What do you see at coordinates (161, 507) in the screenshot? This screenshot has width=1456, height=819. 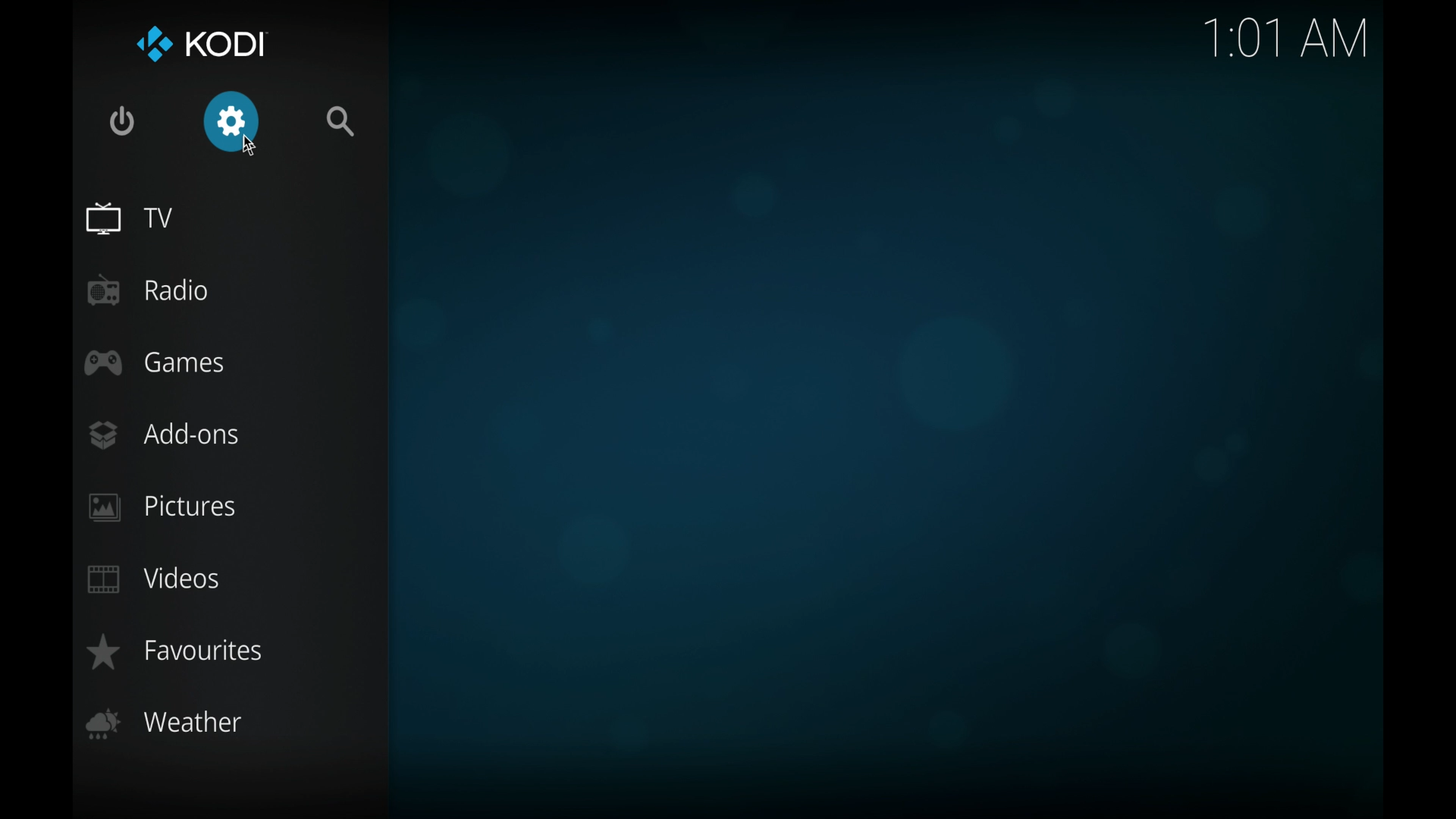 I see `pictures` at bounding box center [161, 507].